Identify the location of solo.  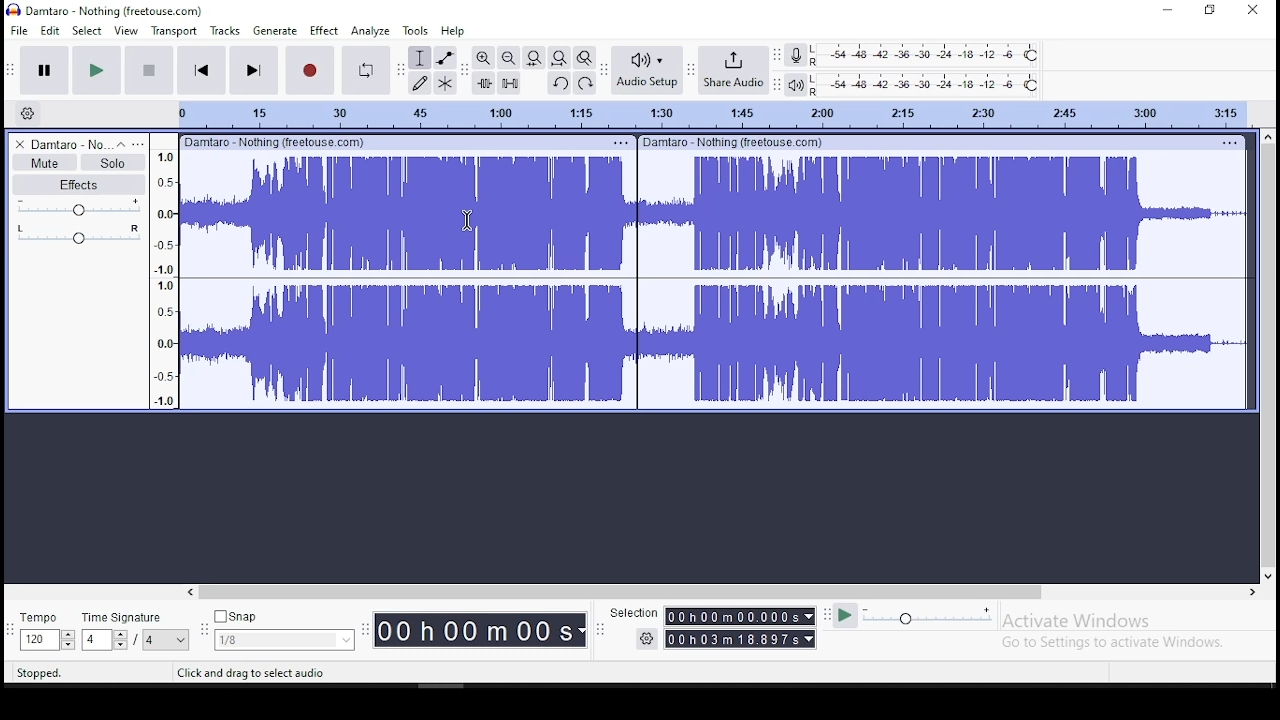
(112, 162).